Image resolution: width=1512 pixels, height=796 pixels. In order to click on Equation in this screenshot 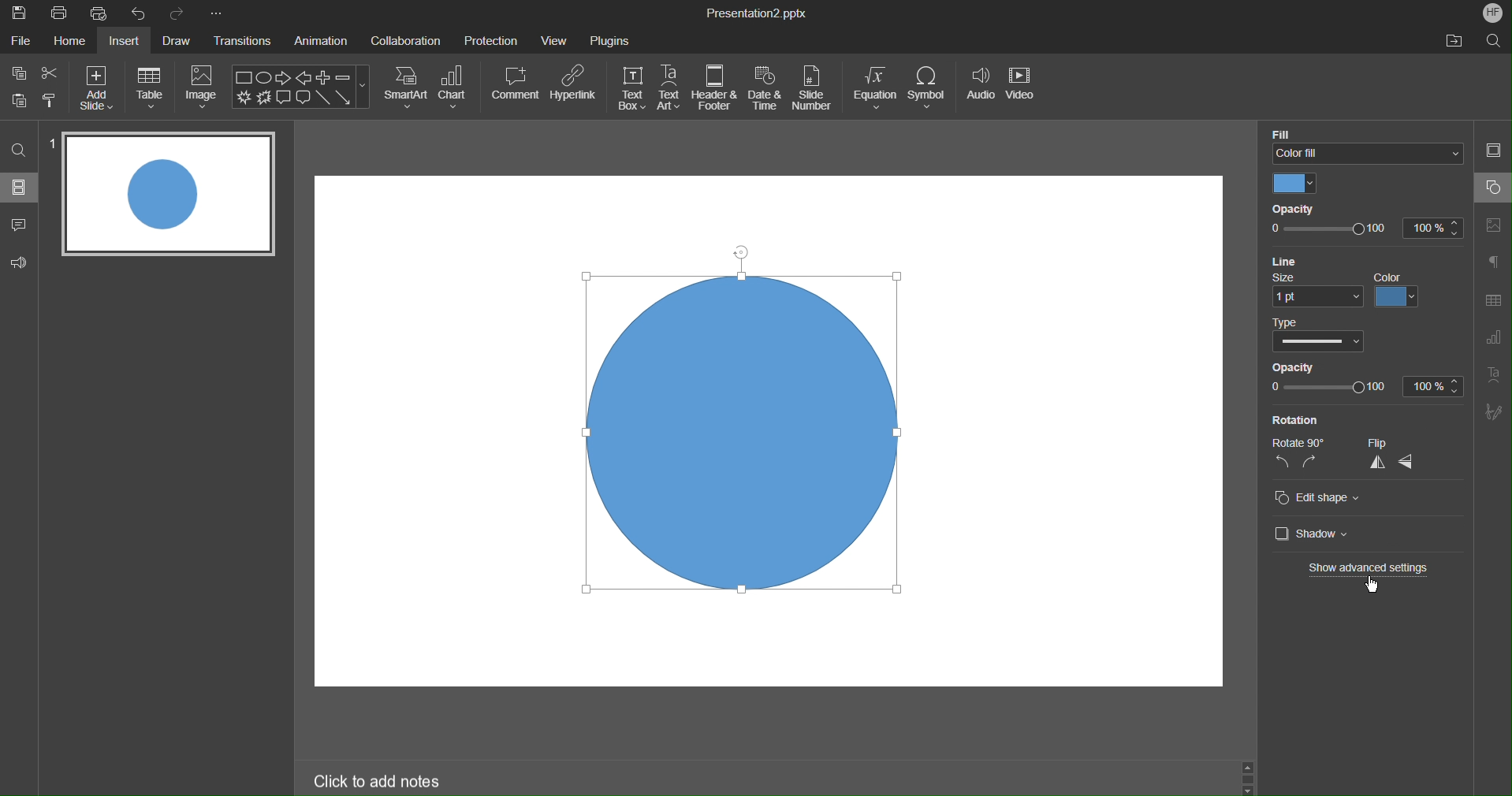, I will do `click(875, 88)`.